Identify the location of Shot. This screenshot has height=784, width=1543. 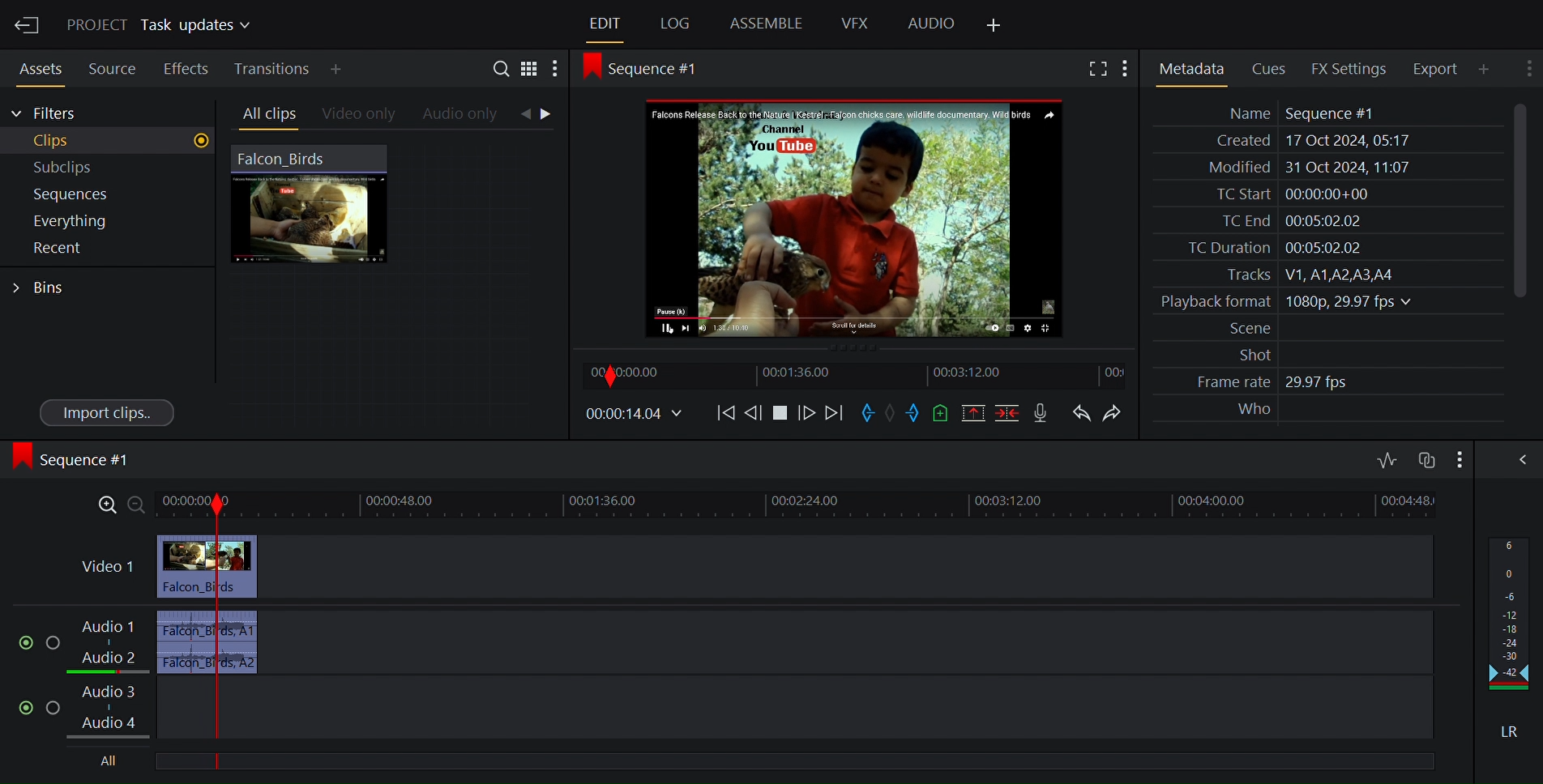
(1245, 355).